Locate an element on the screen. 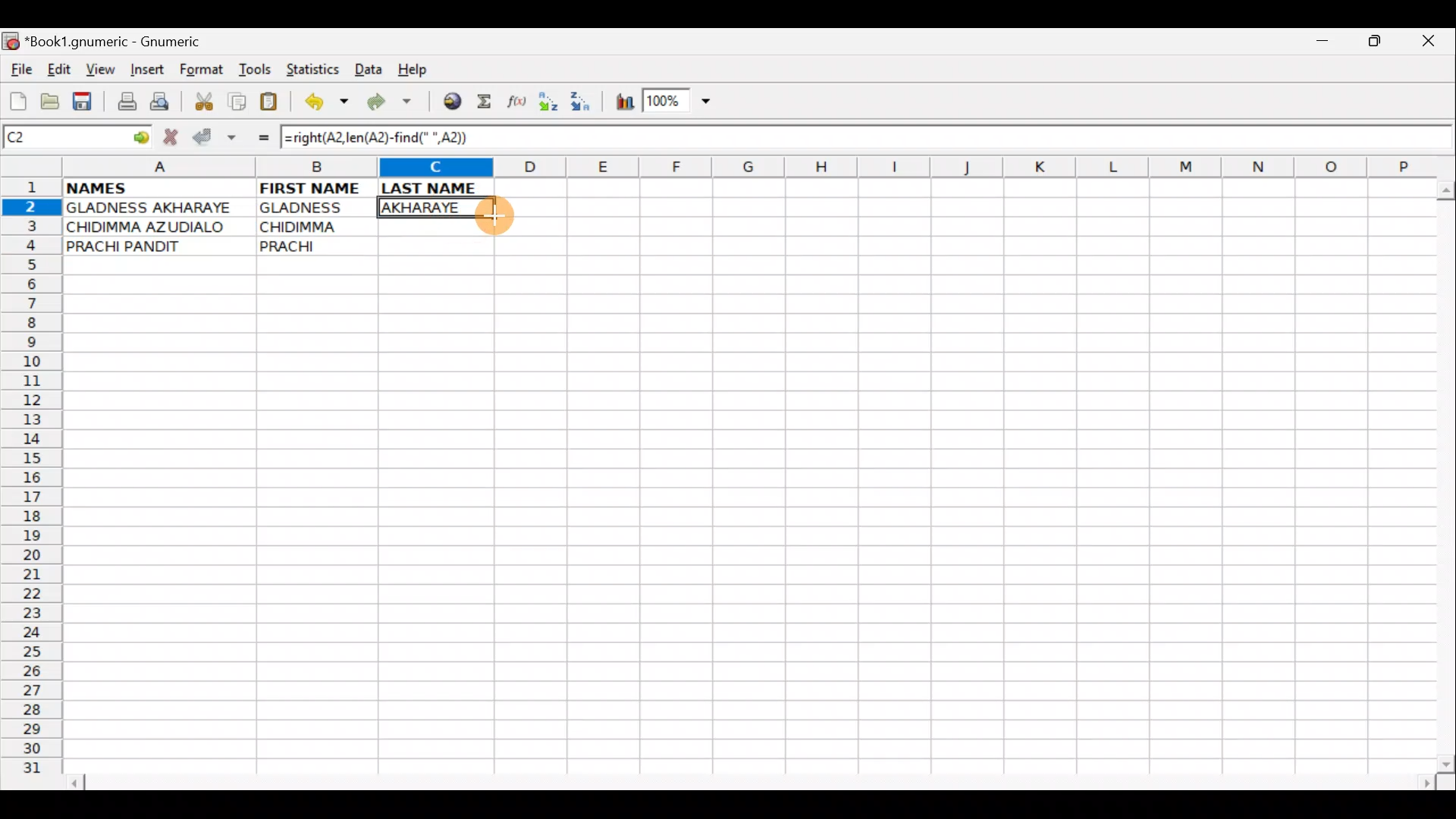  Sort Ascending order is located at coordinates (553, 105).